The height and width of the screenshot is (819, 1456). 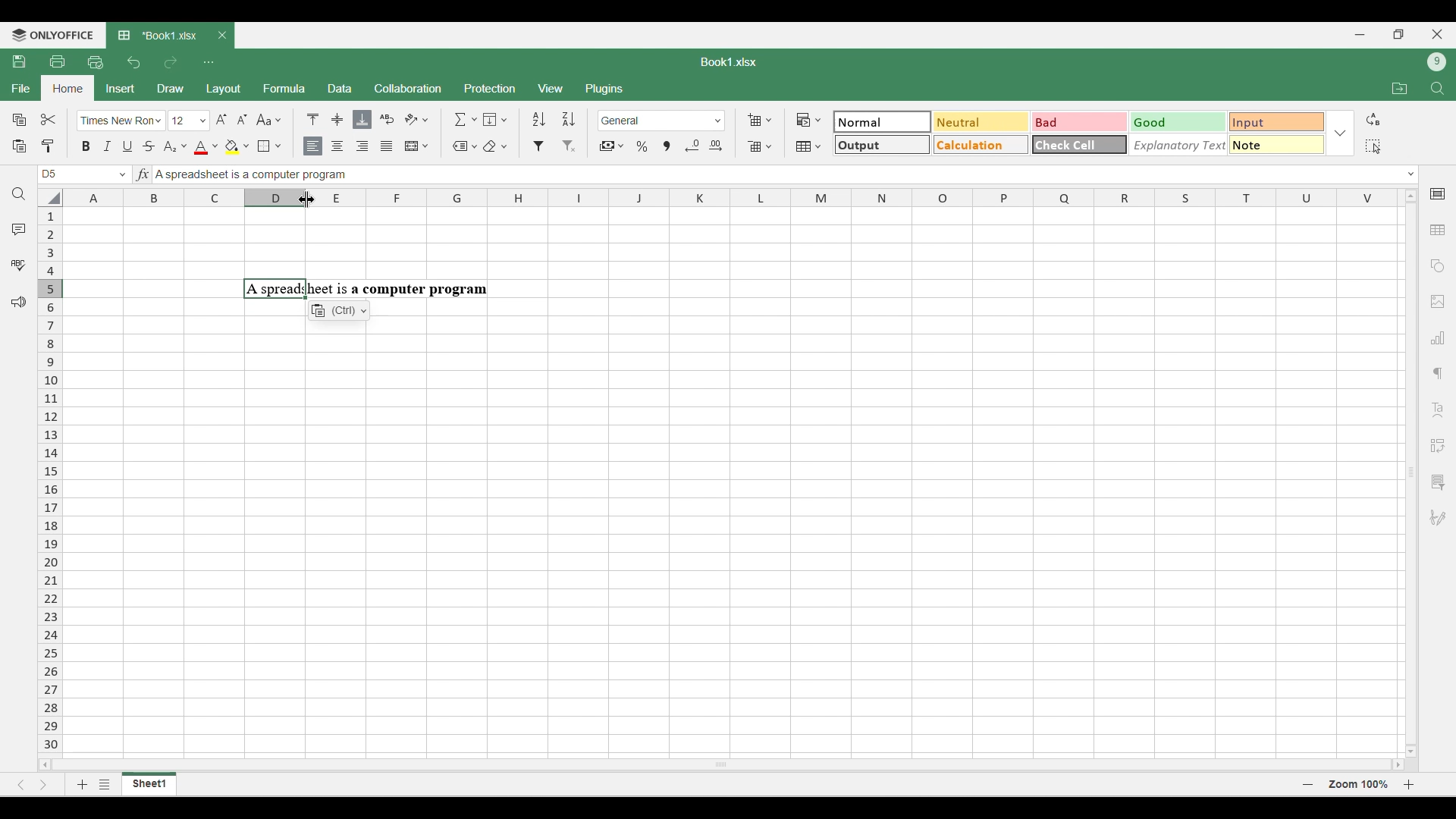 I want to click on Subscript, so click(x=174, y=147).